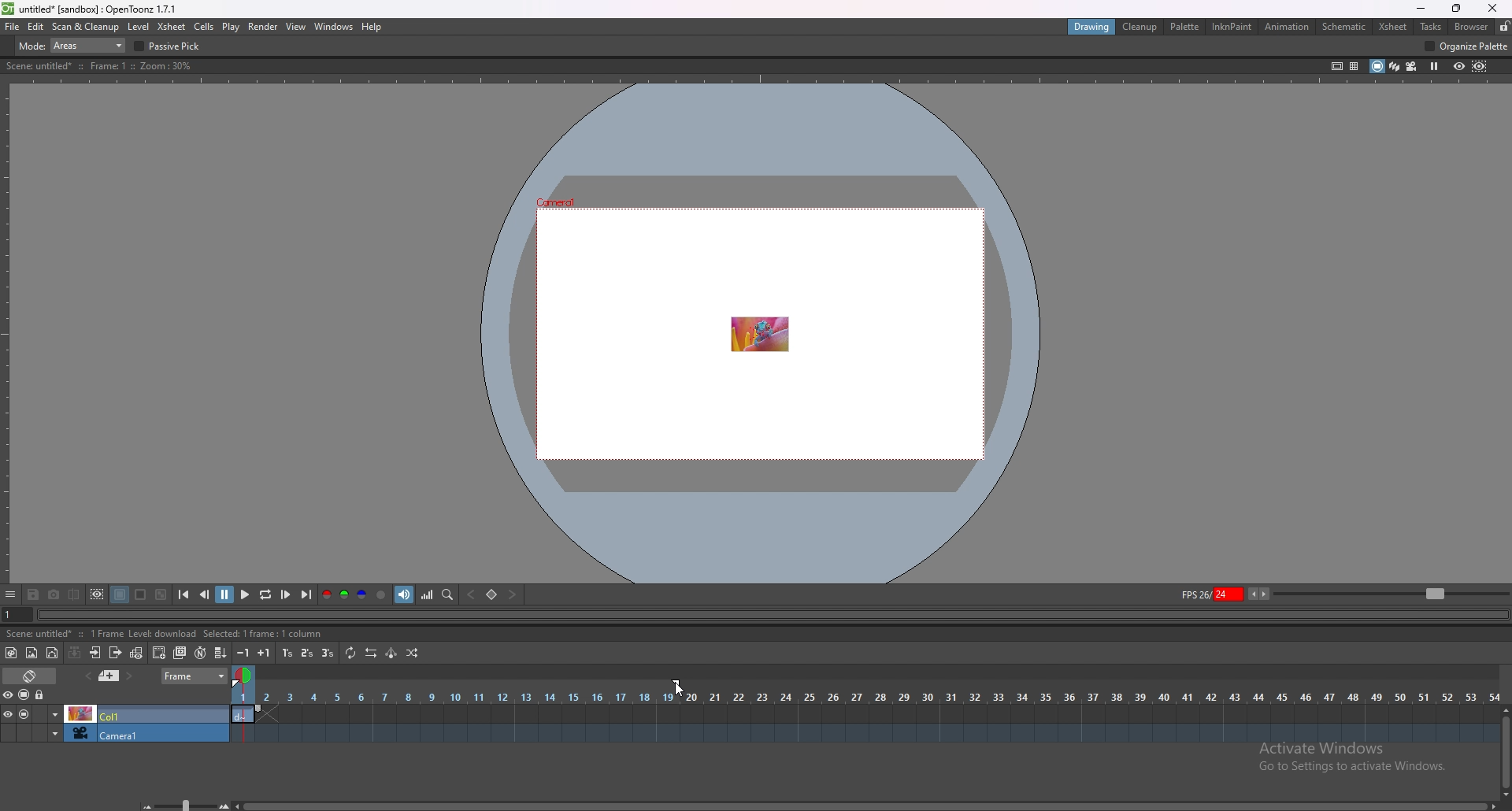 This screenshot has width=1512, height=811. Describe the element at coordinates (266, 594) in the screenshot. I see `loop` at that location.